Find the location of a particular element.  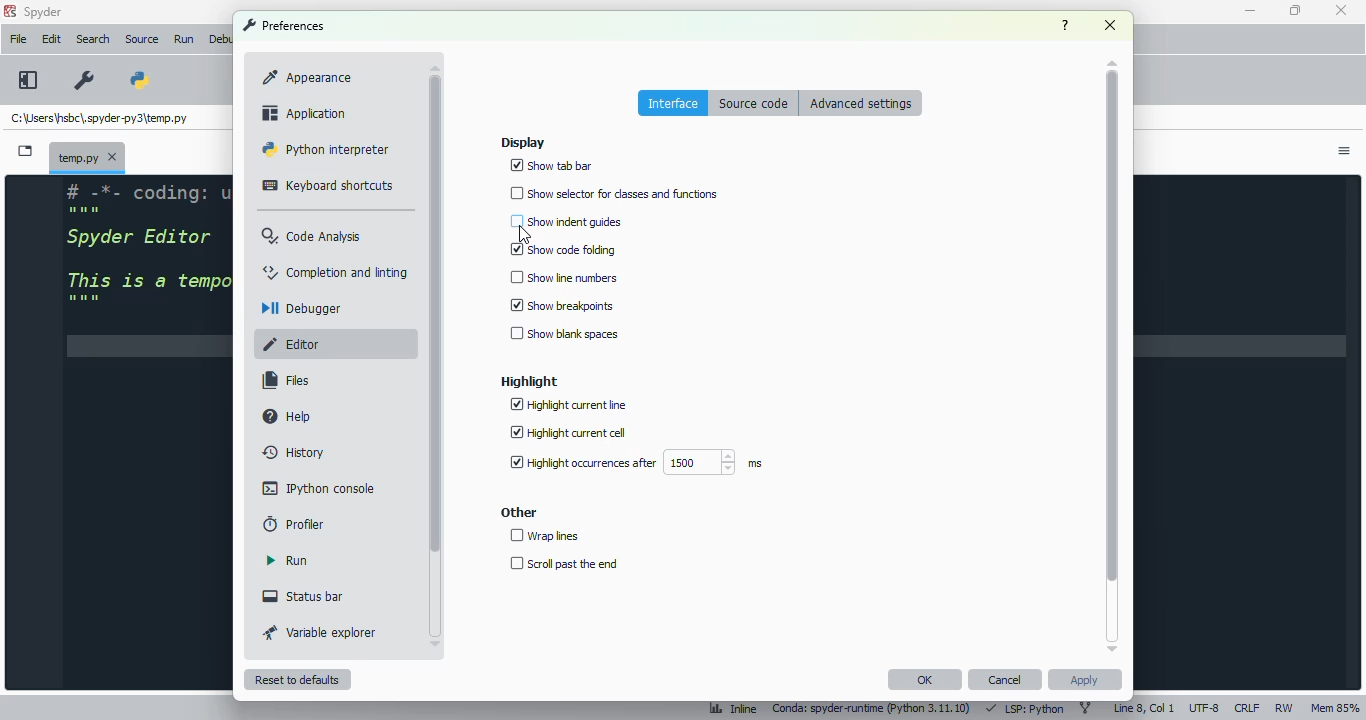

advanced settings is located at coordinates (862, 102).